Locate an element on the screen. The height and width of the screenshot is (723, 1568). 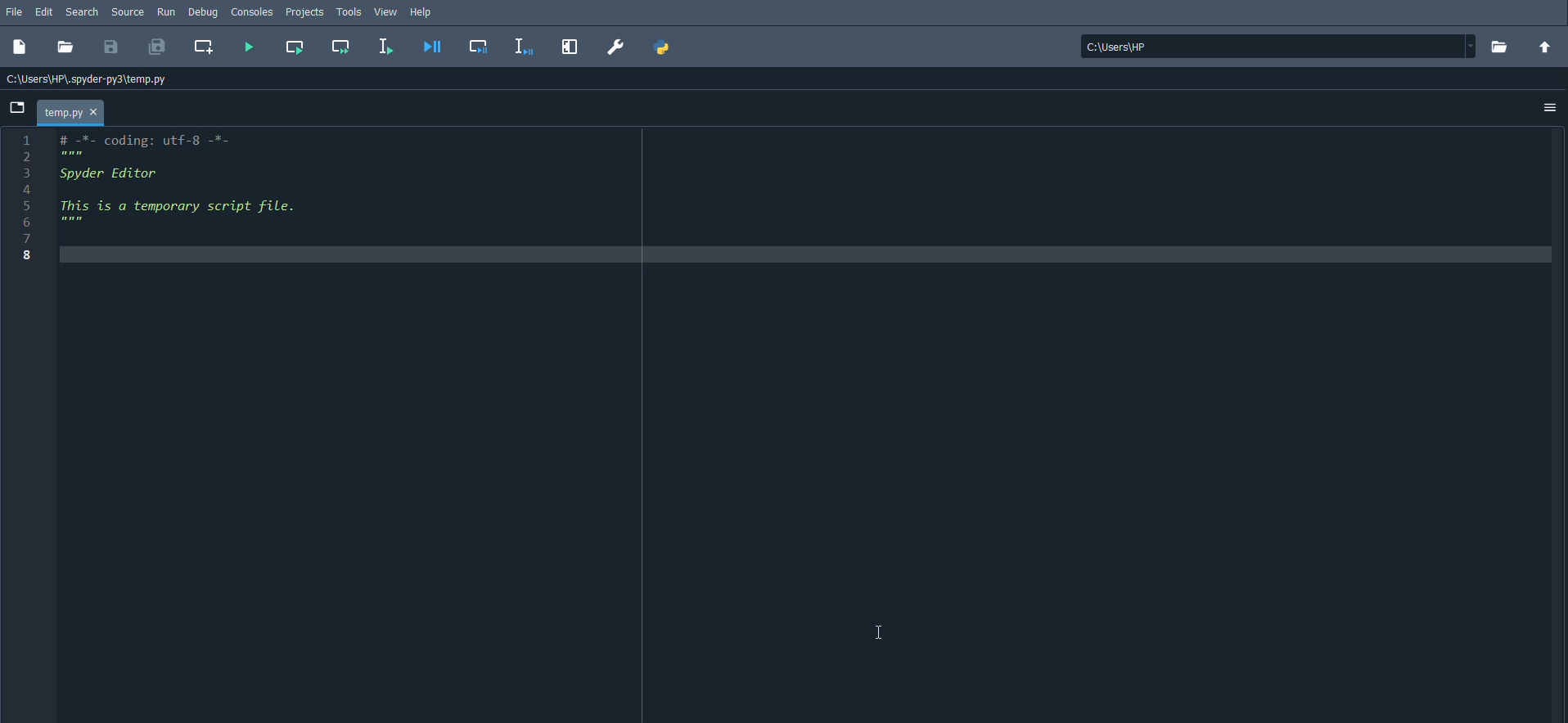
Source is located at coordinates (130, 12).